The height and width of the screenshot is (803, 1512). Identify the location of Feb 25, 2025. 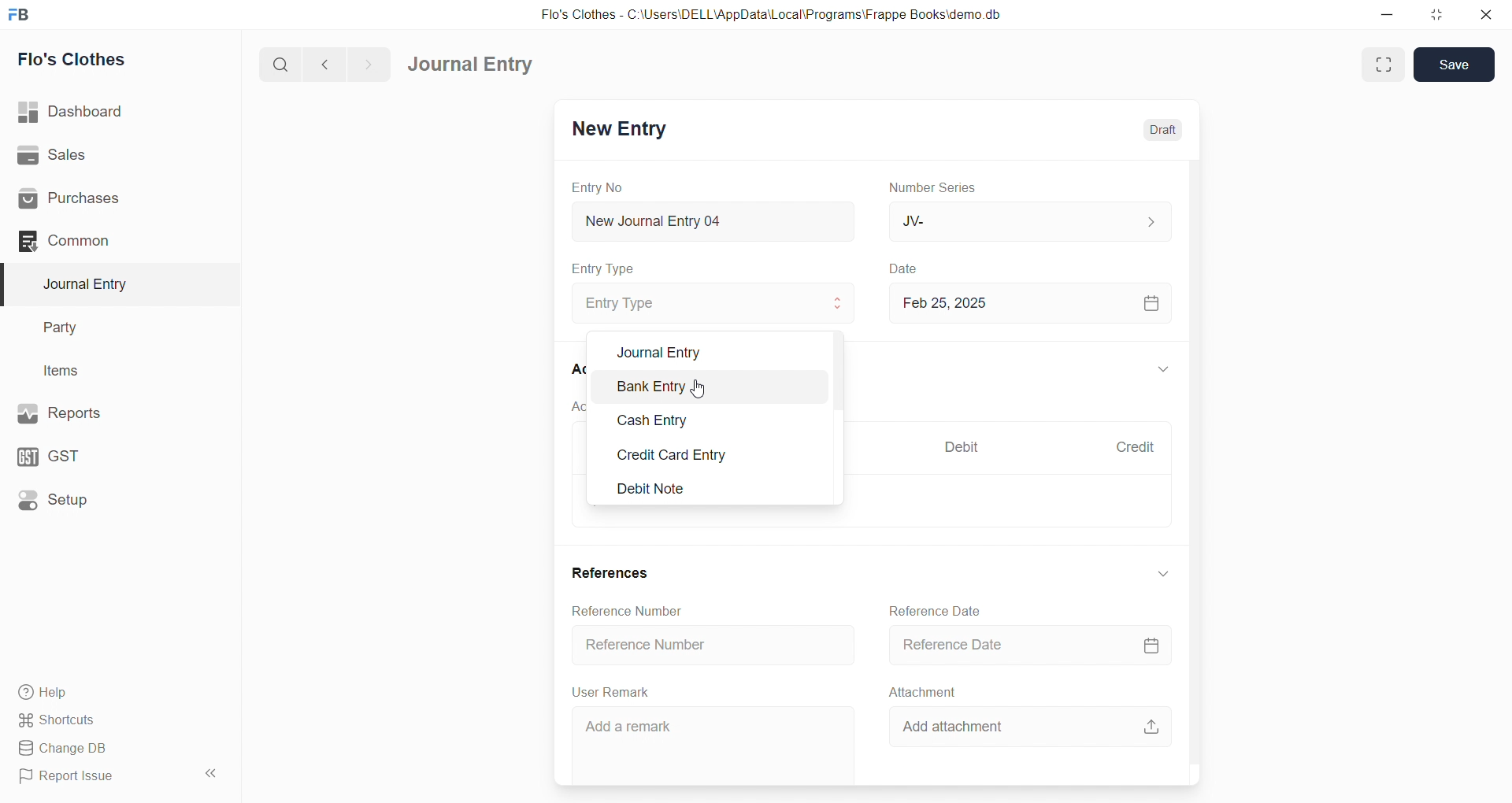
(1027, 302).